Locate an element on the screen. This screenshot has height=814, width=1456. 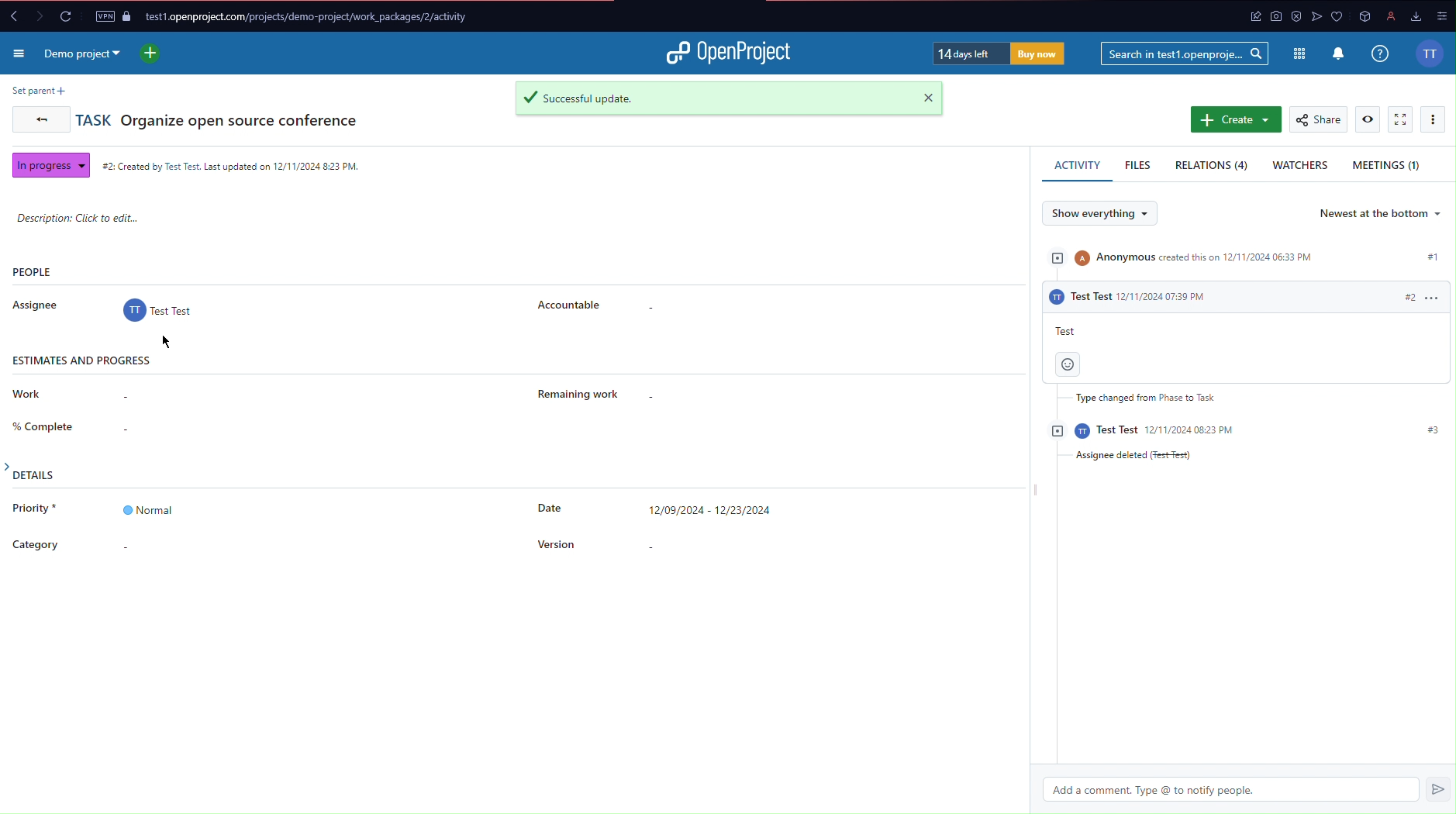
test is located at coordinates (1064, 329).